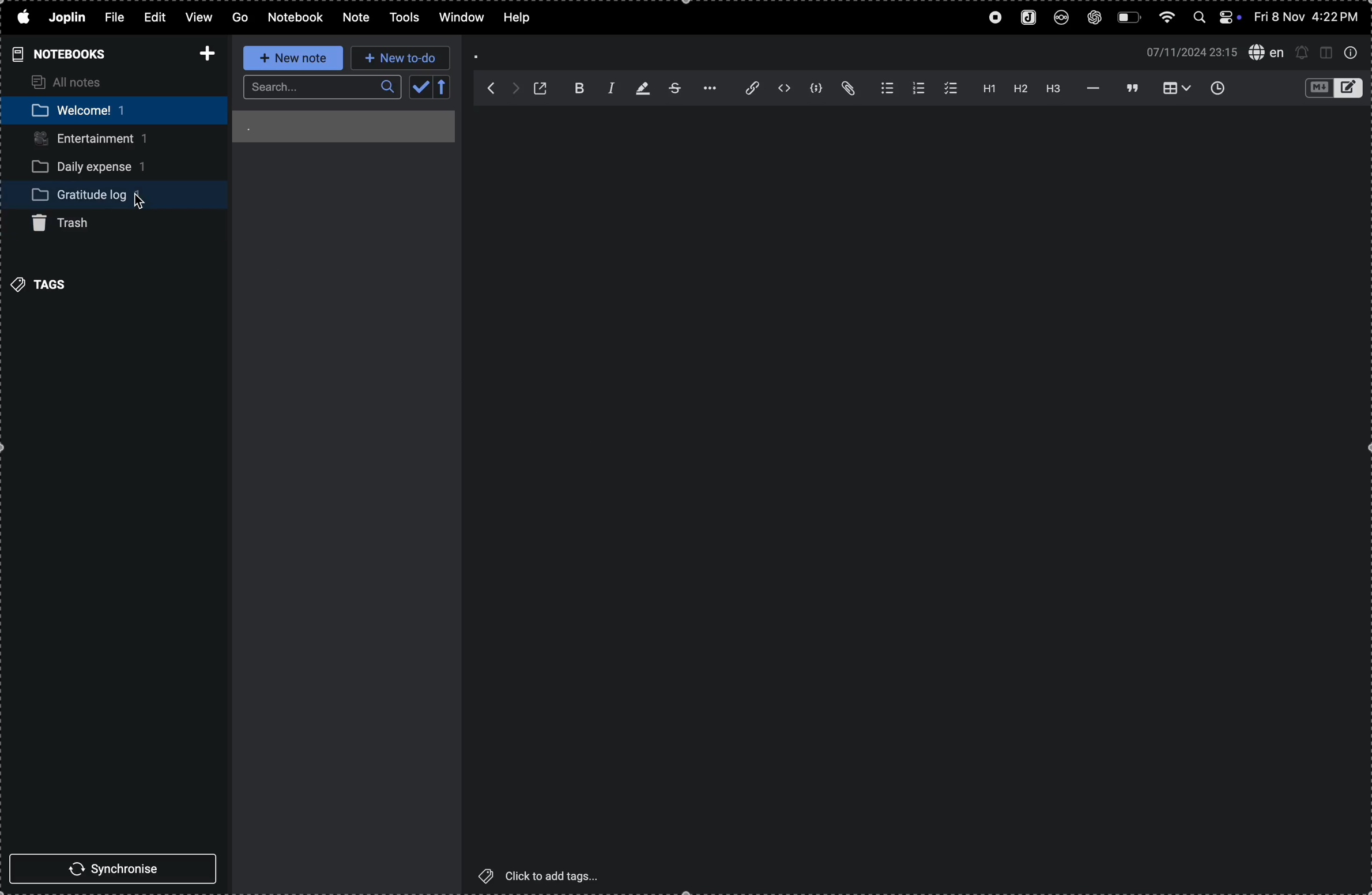 This screenshot has width=1372, height=895. Describe the element at coordinates (1063, 17) in the screenshot. I see `nextcloud` at that location.